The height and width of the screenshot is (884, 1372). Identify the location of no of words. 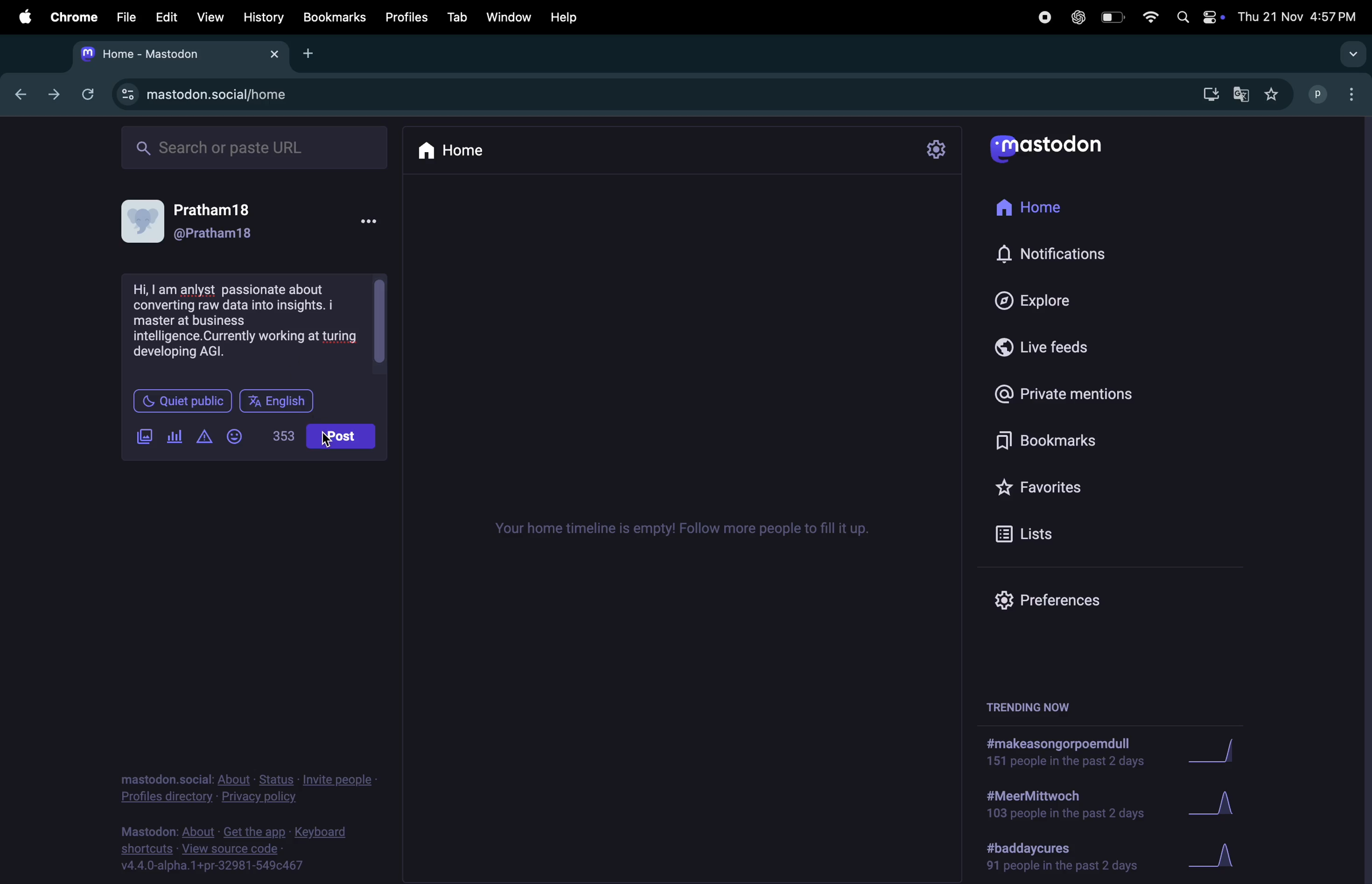
(286, 434).